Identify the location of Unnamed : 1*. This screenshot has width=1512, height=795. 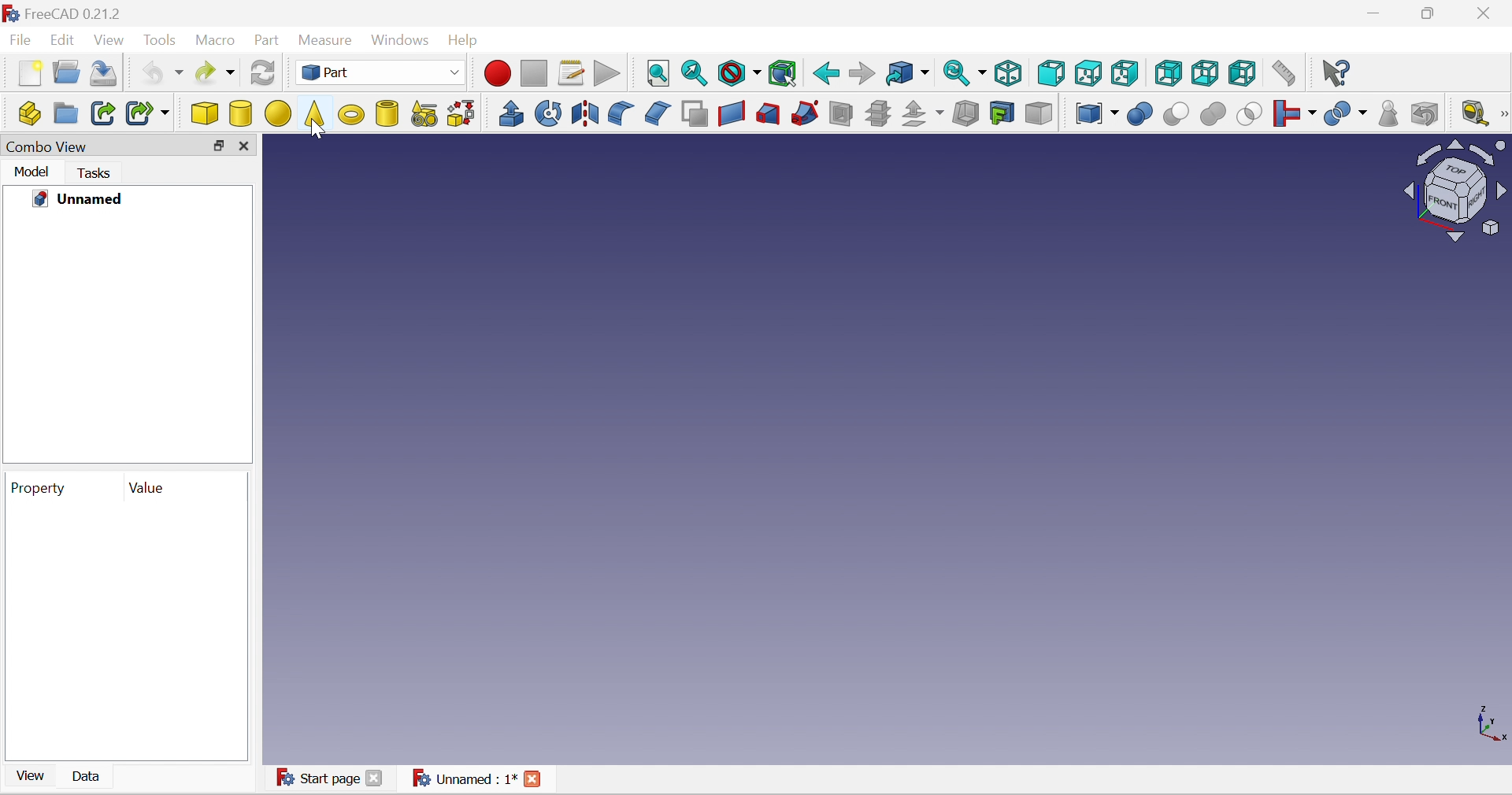
(478, 778).